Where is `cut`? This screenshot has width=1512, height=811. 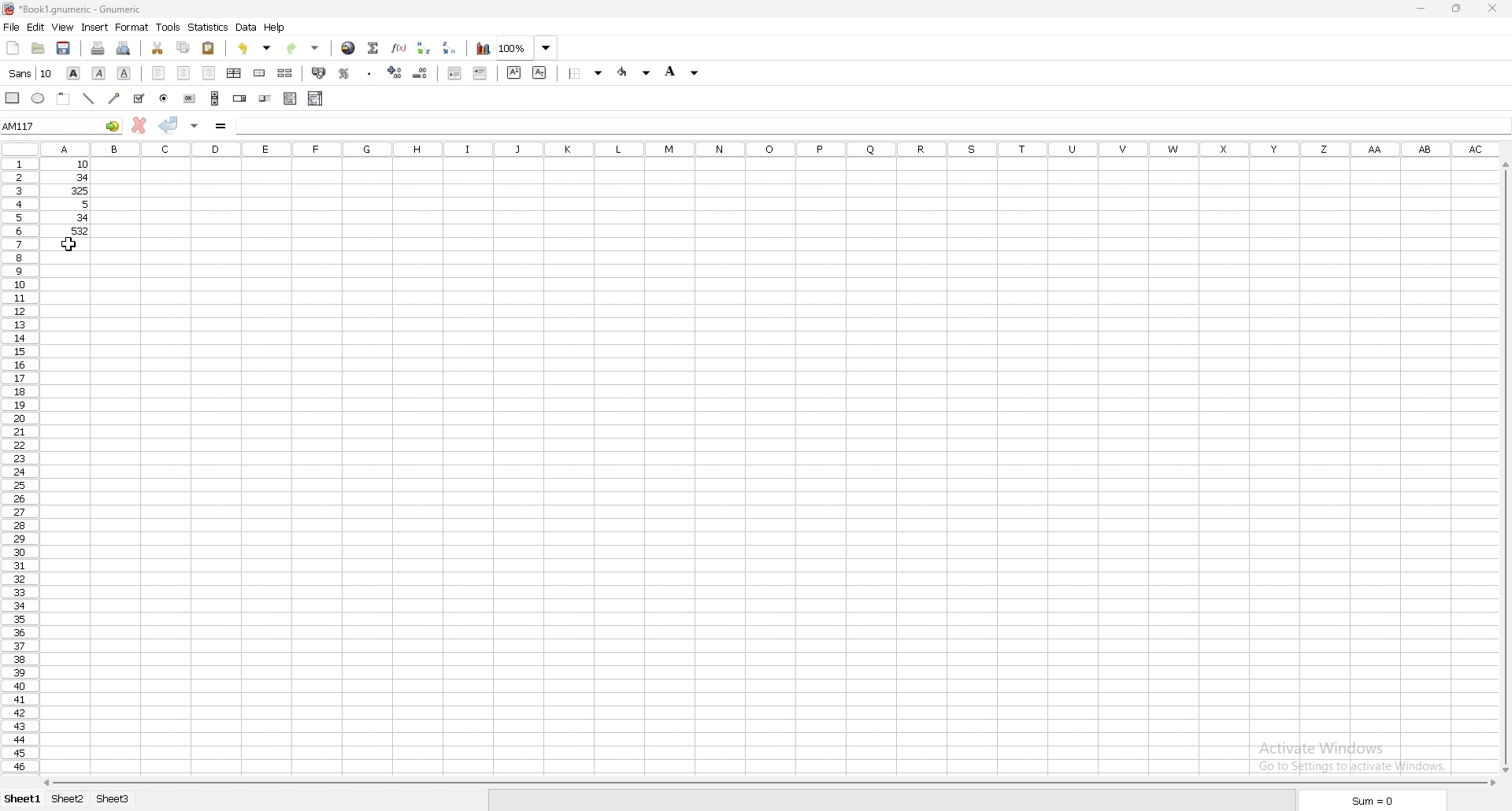 cut is located at coordinates (157, 48).